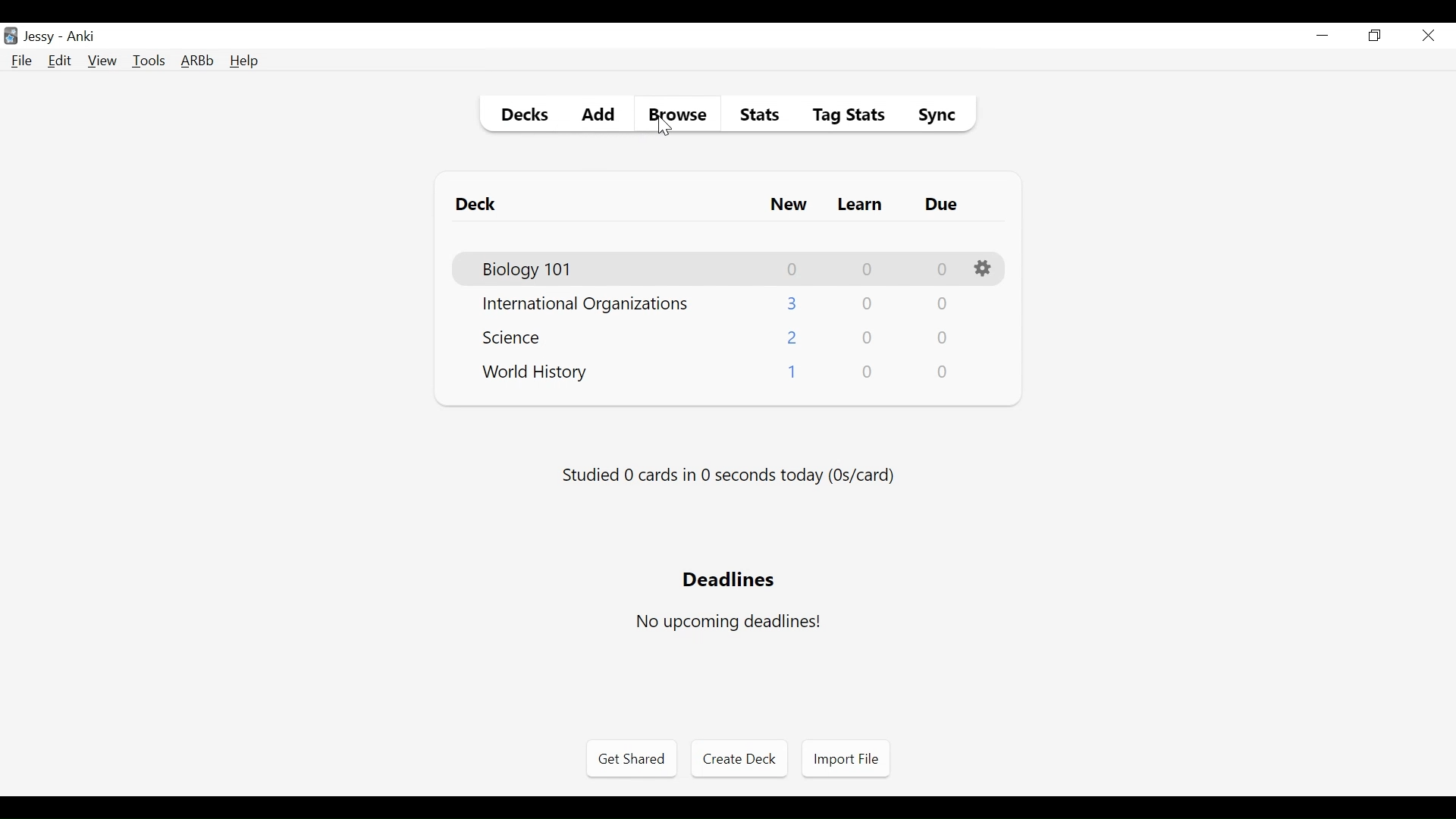  Describe the element at coordinates (198, 61) in the screenshot. I see `Advanced Review Button bar` at that location.